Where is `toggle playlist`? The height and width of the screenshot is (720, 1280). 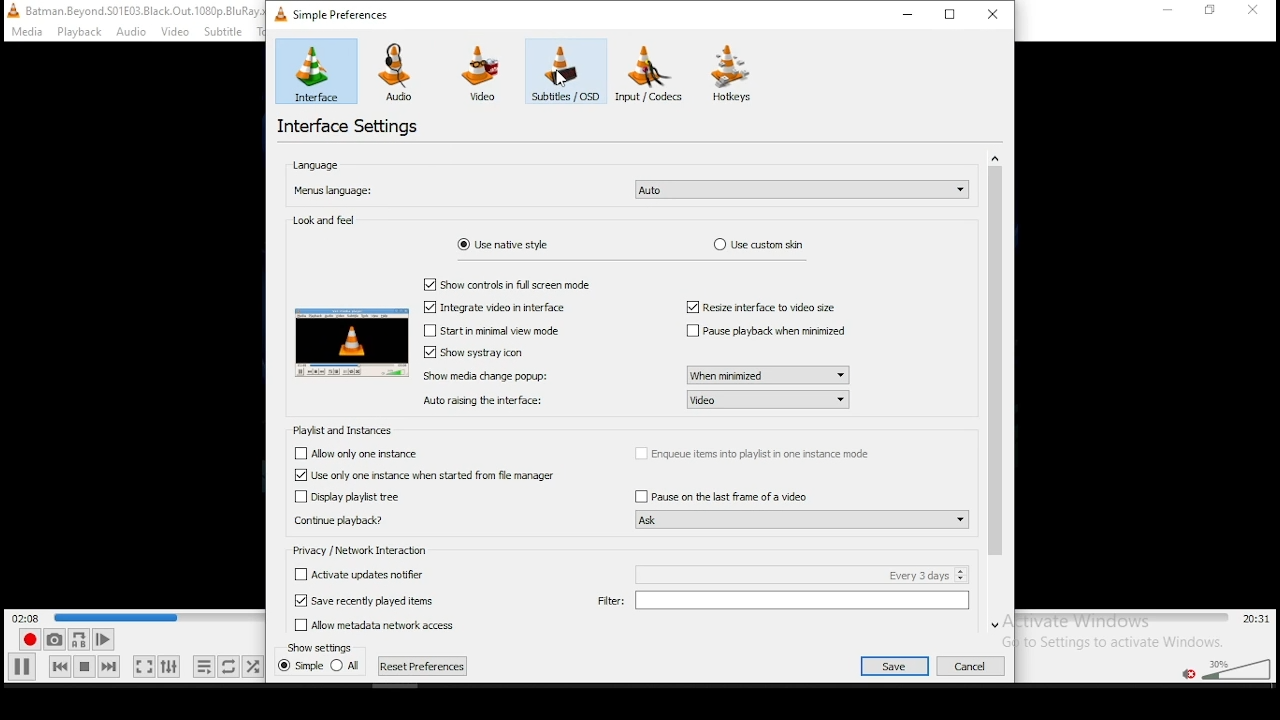
toggle playlist is located at coordinates (204, 668).